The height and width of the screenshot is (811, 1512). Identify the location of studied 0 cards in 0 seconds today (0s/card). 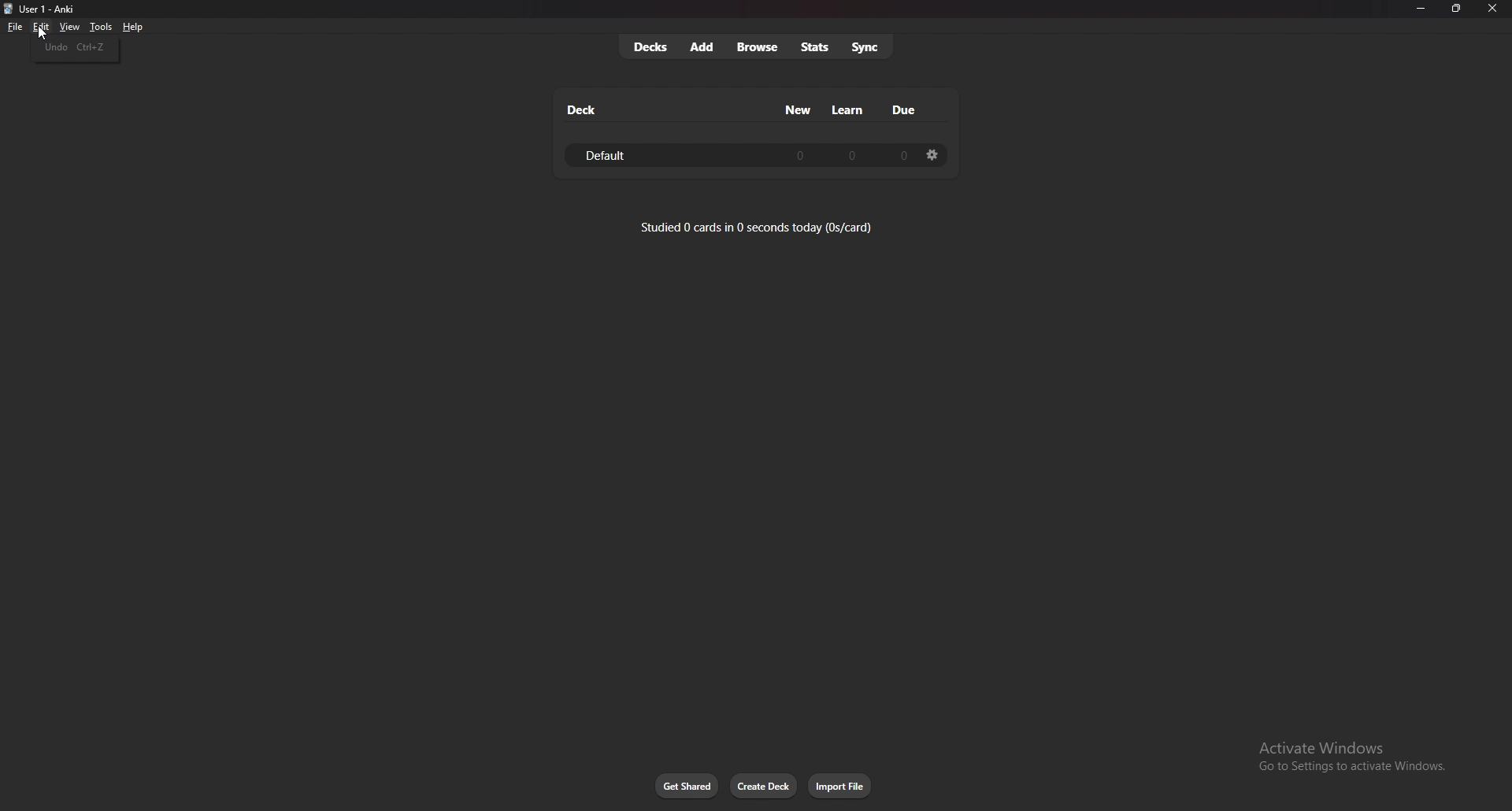
(758, 227).